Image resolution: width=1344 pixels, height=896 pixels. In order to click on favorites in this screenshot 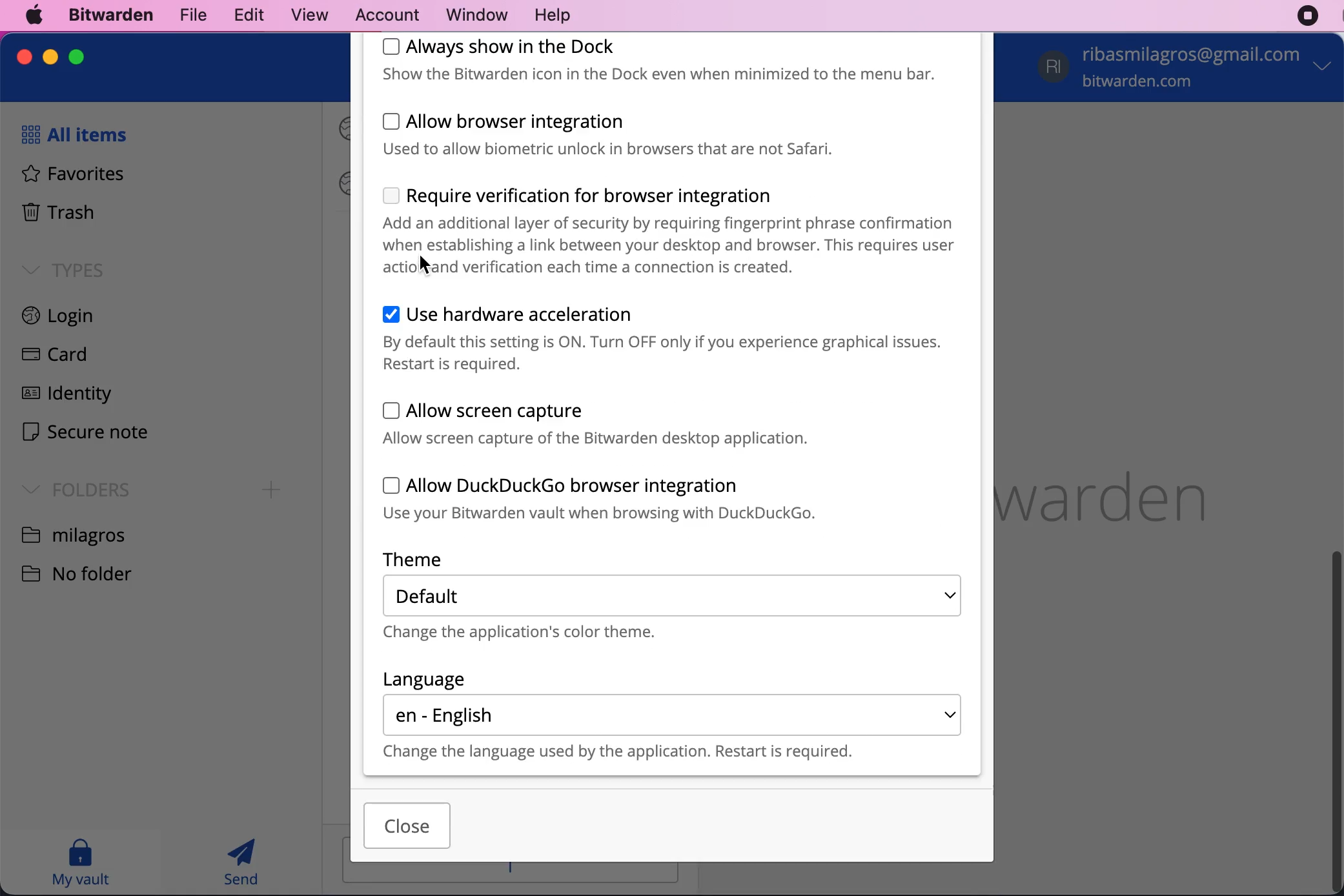, I will do `click(66, 176)`.